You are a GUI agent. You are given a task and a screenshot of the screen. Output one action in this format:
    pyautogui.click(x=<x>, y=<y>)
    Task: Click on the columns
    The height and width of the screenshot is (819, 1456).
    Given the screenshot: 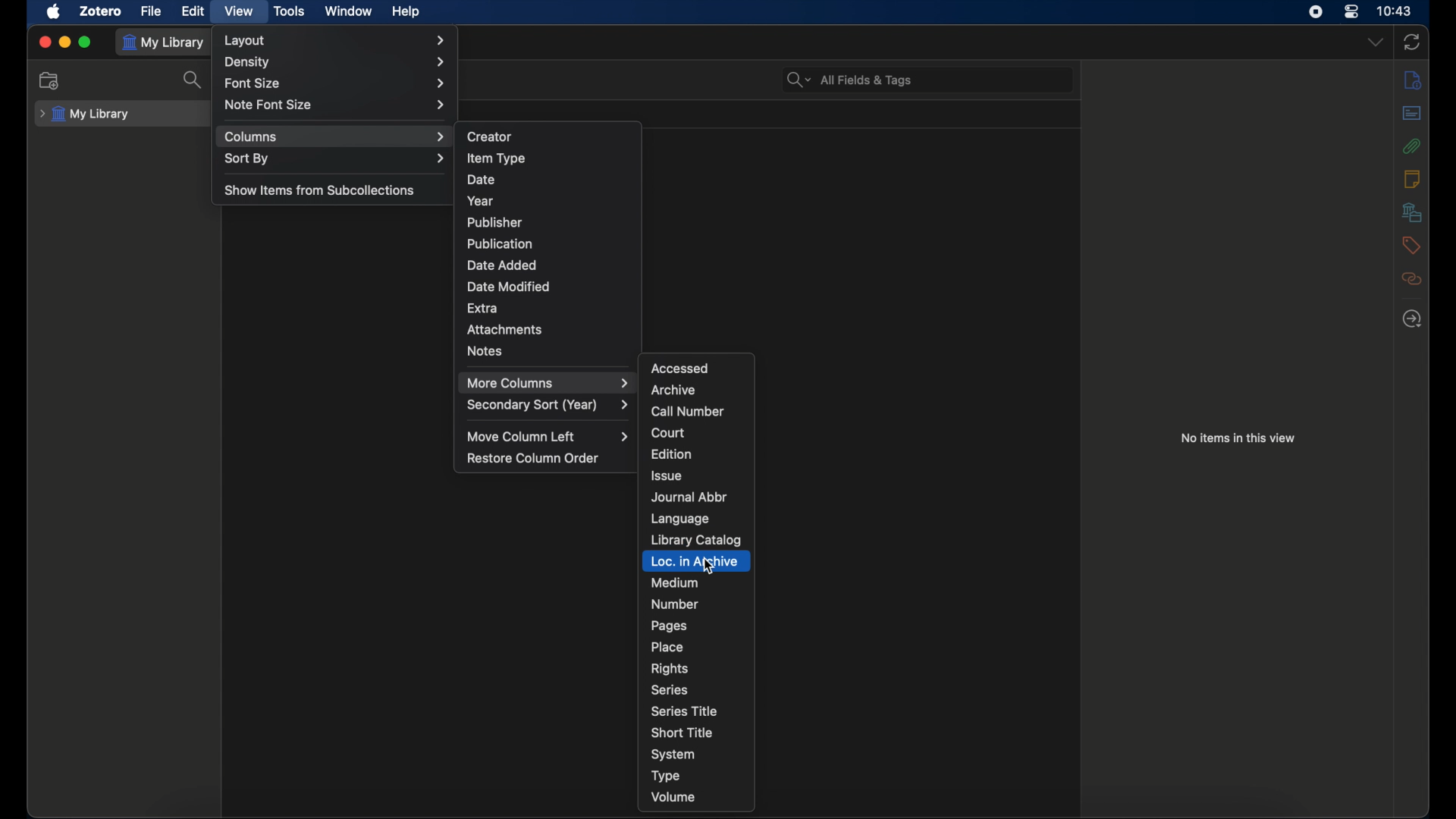 What is the action you would take?
    pyautogui.click(x=336, y=136)
    